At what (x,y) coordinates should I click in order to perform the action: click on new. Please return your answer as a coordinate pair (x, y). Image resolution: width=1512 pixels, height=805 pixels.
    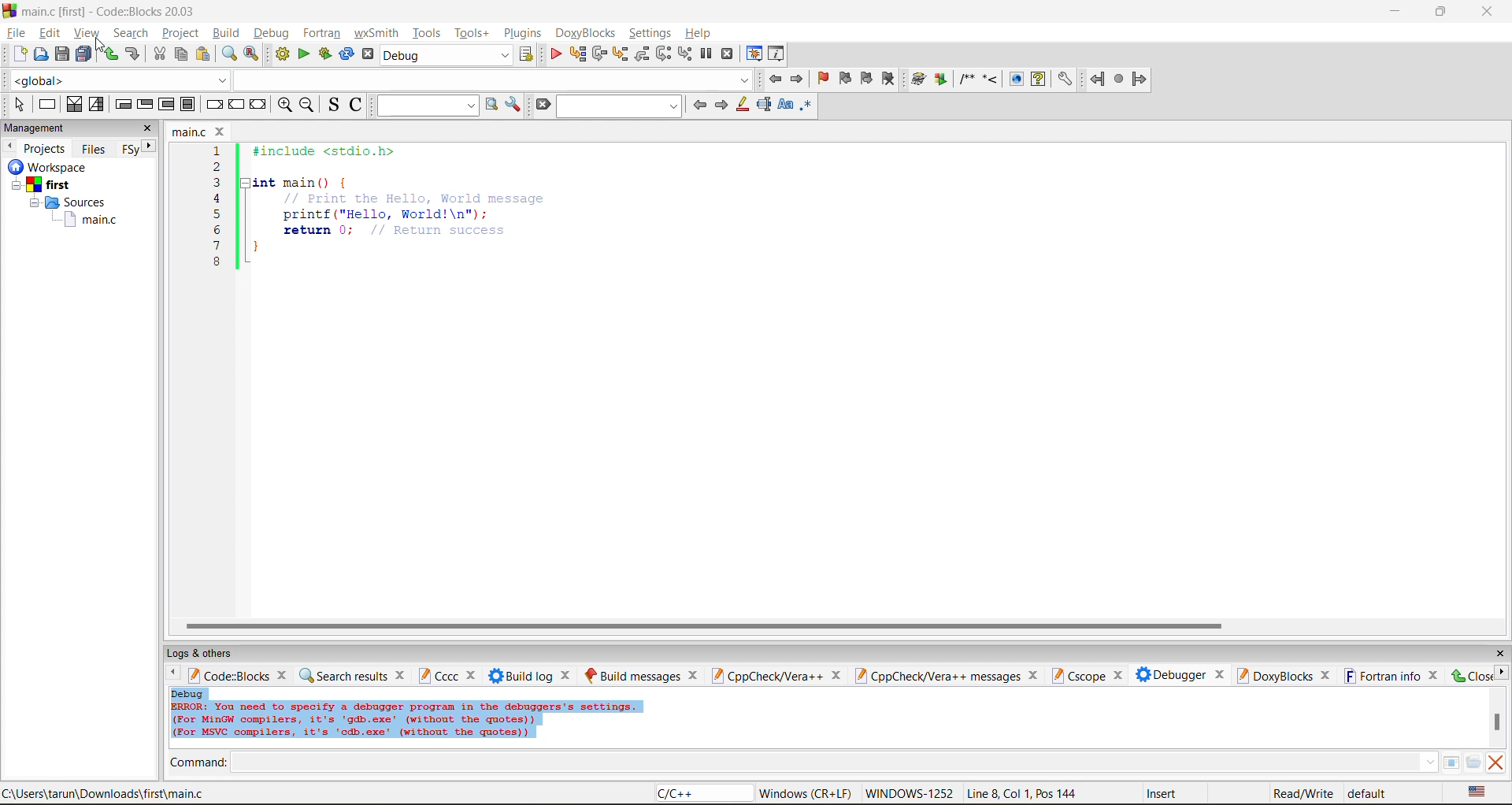
    Looking at the image, I should click on (17, 54).